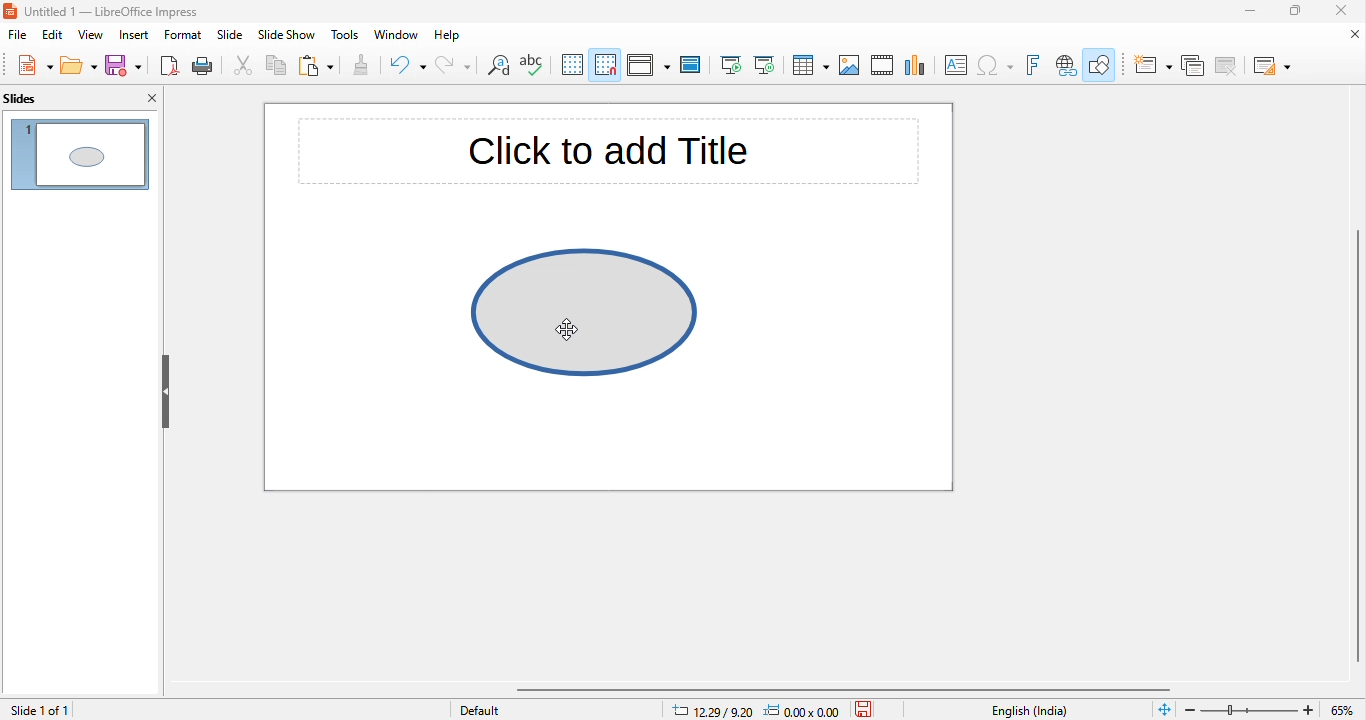 The image size is (1366, 720). I want to click on help, so click(454, 37).